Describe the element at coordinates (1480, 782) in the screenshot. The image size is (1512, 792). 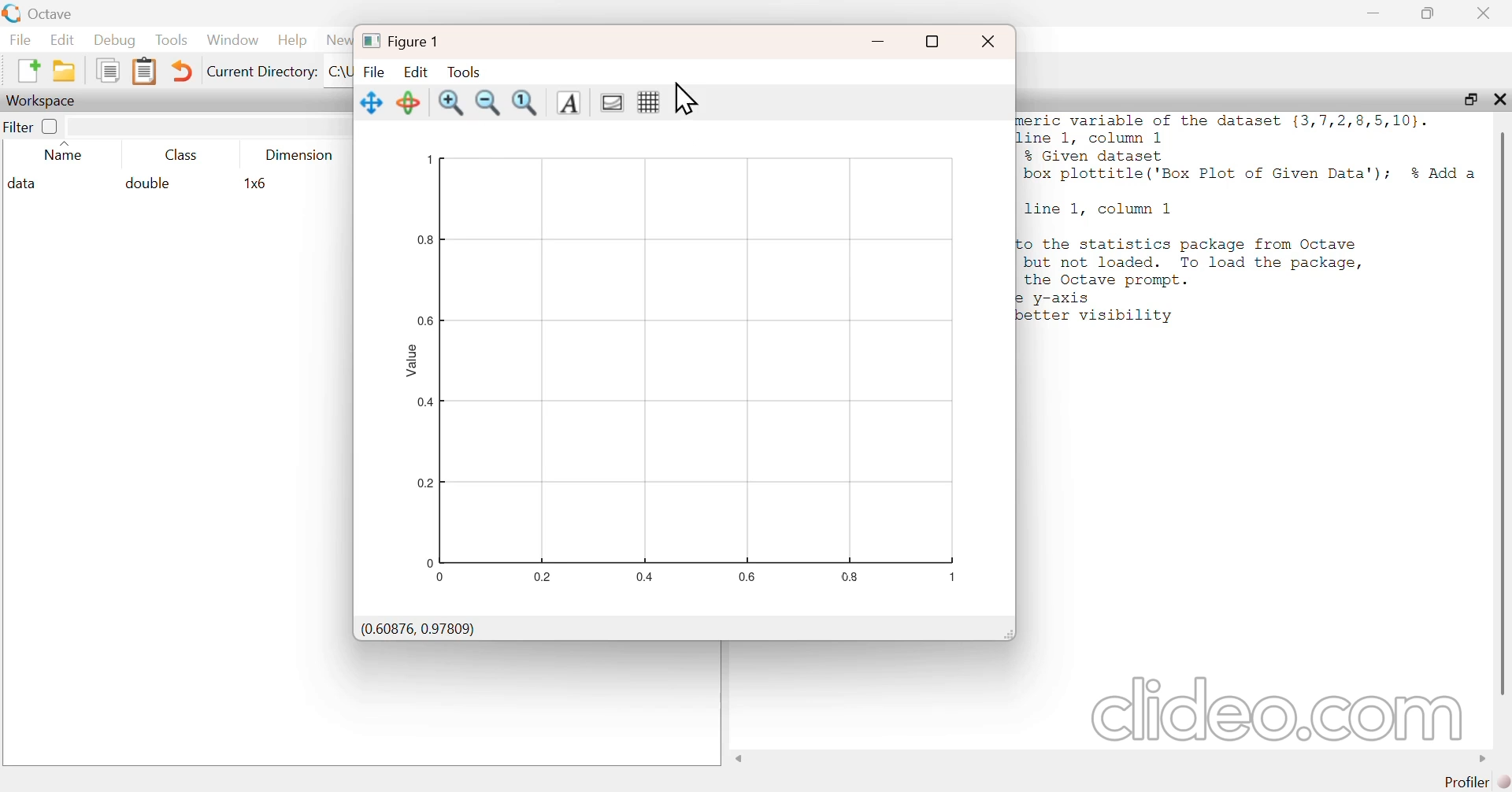
I see `profiler` at that location.